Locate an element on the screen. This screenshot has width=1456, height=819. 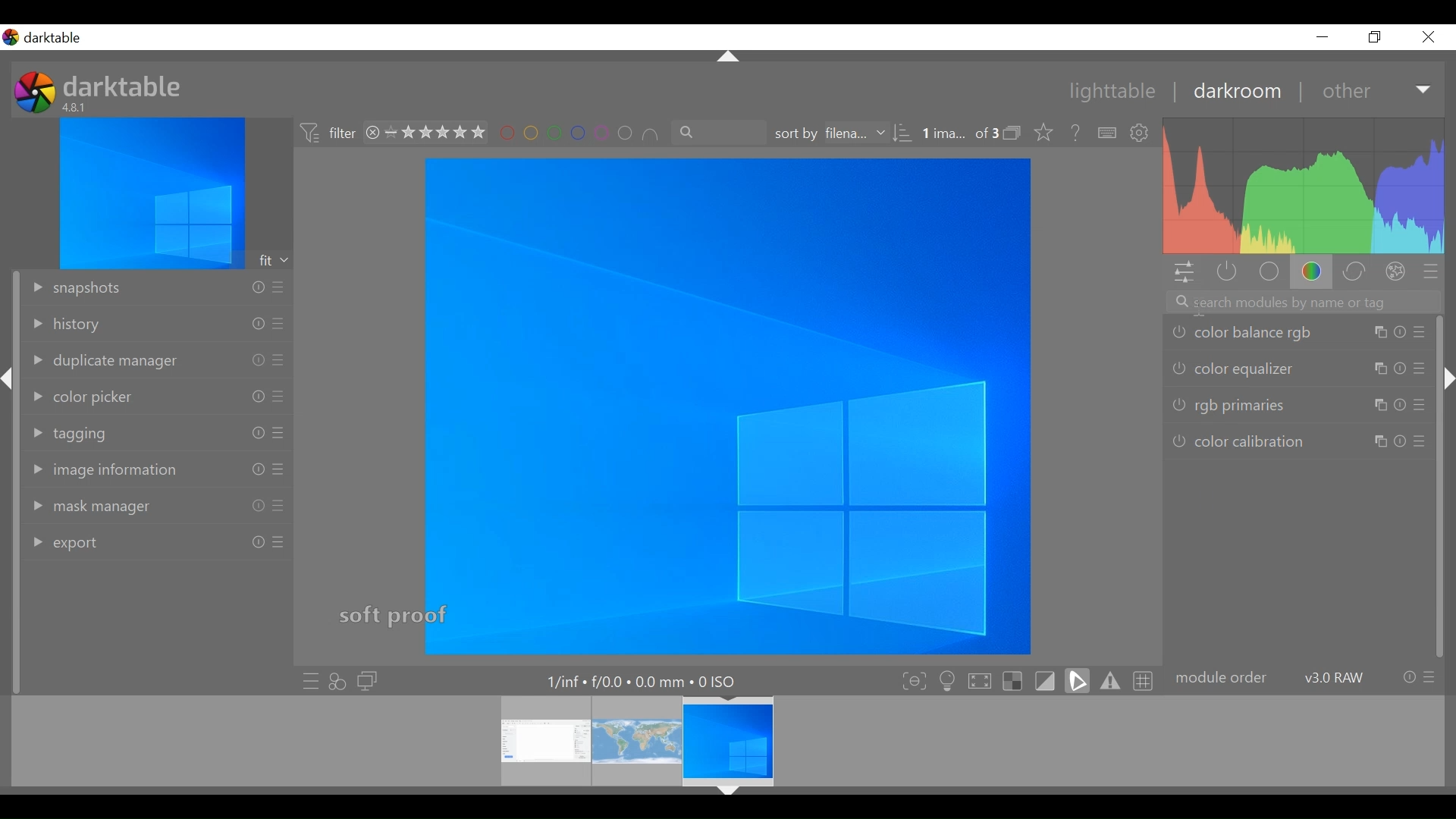
filter by color label is located at coordinates (577, 133).